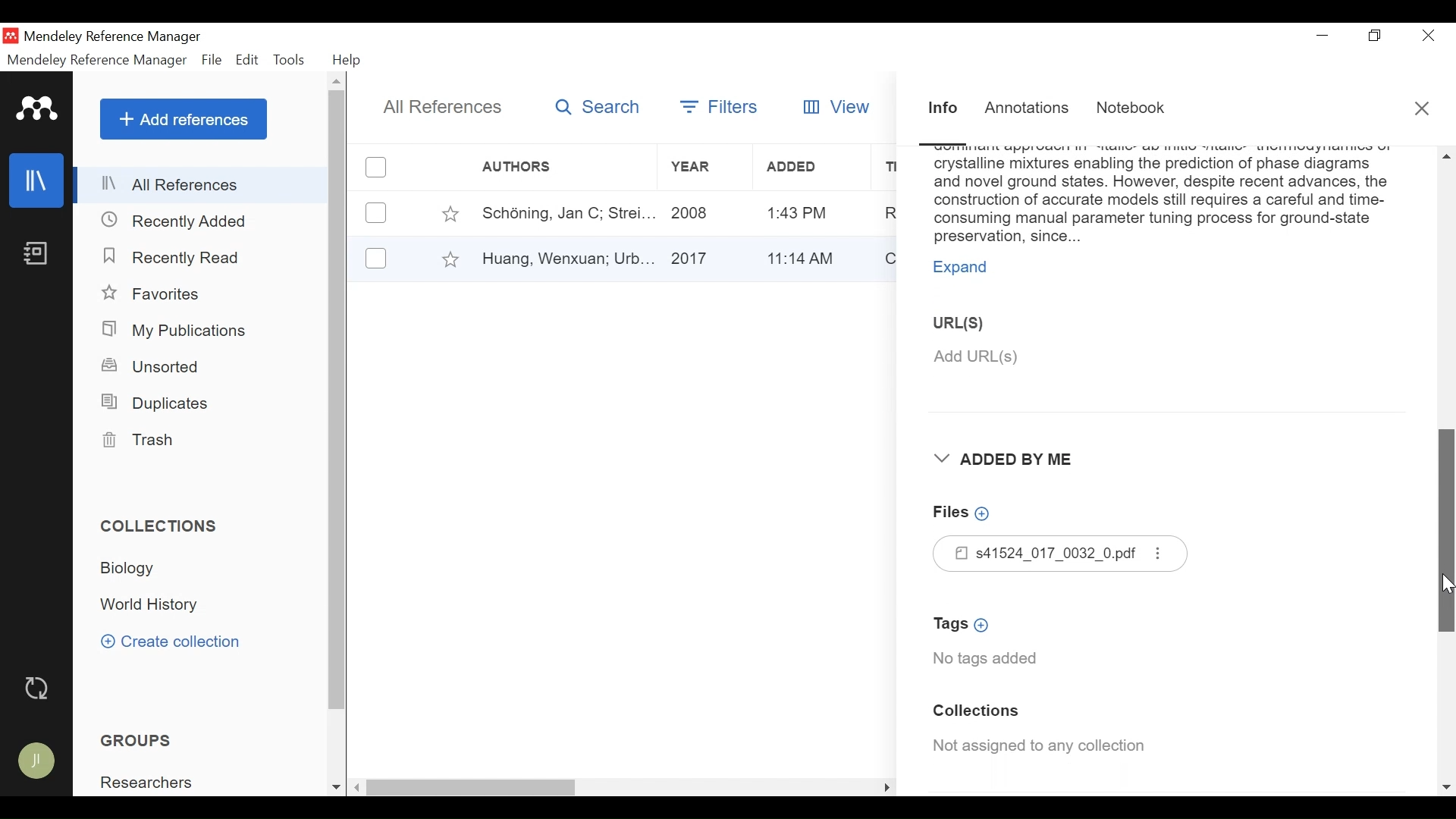 The width and height of the screenshot is (1456, 819). What do you see at coordinates (1162, 197) in the screenshot?
I see `Abstract` at bounding box center [1162, 197].